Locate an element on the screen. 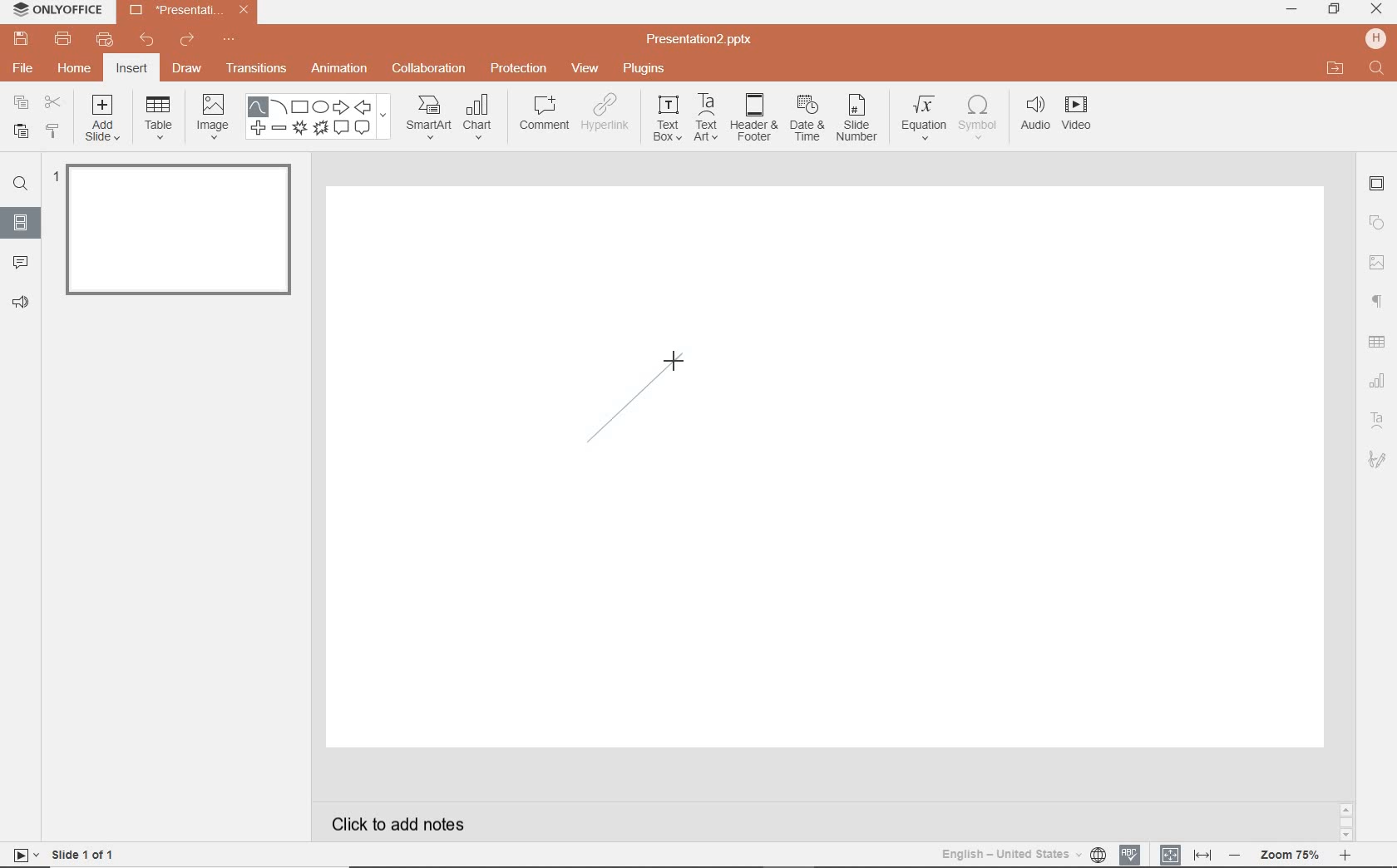 This screenshot has width=1397, height=868. FIND is located at coordinates (23, 184).